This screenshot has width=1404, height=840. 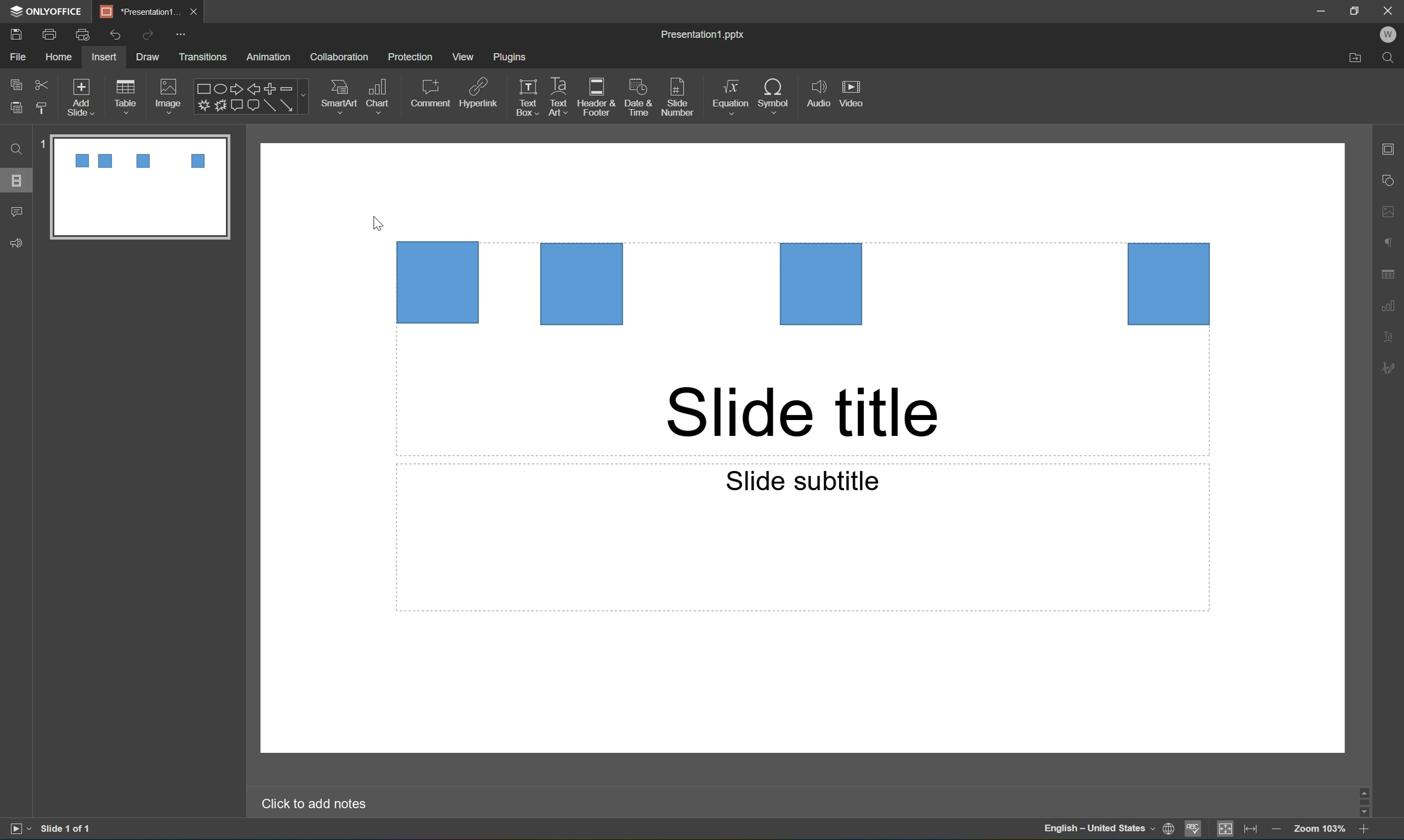 I want to click on copy style, so click(x=42, y=108).